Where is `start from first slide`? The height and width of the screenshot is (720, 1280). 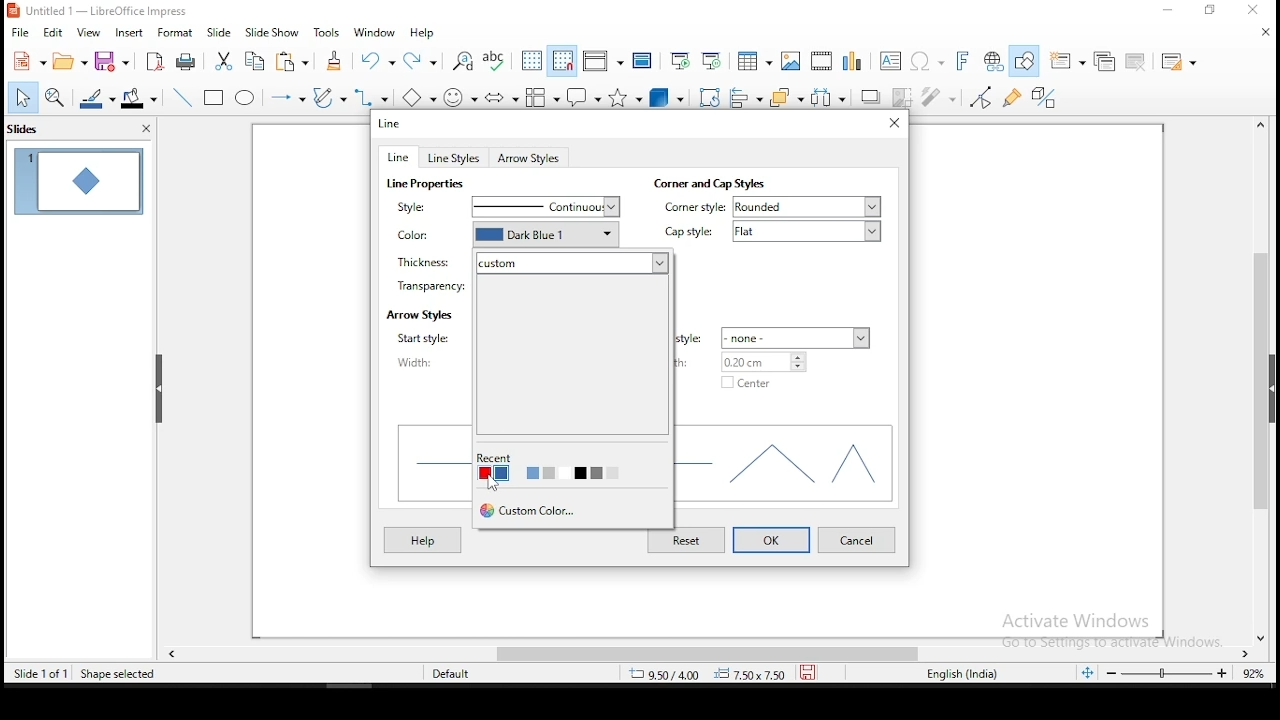
start from first slide is located at coordinates (679, 60).